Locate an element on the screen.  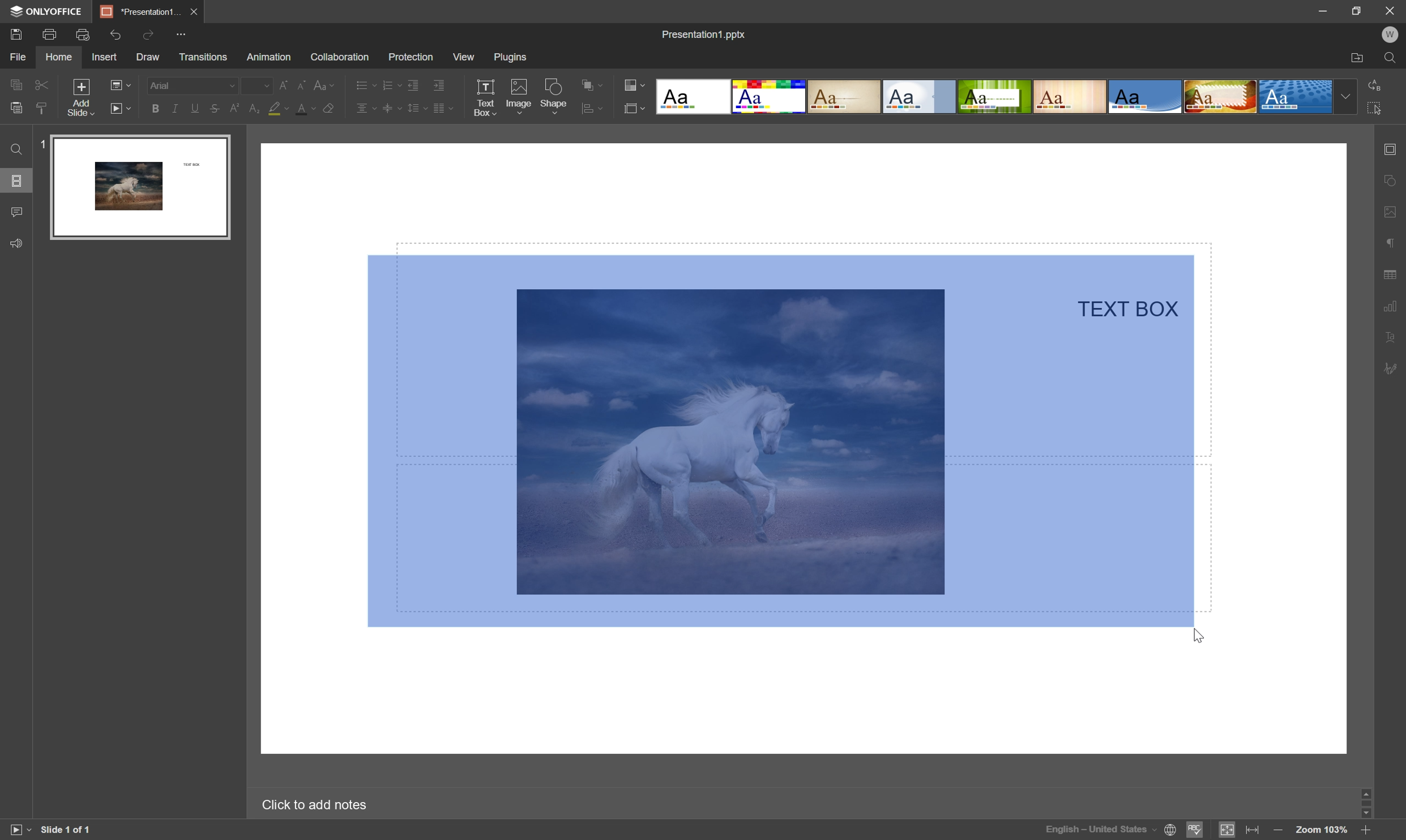
horizontal align is located at coordinates (366, 106).